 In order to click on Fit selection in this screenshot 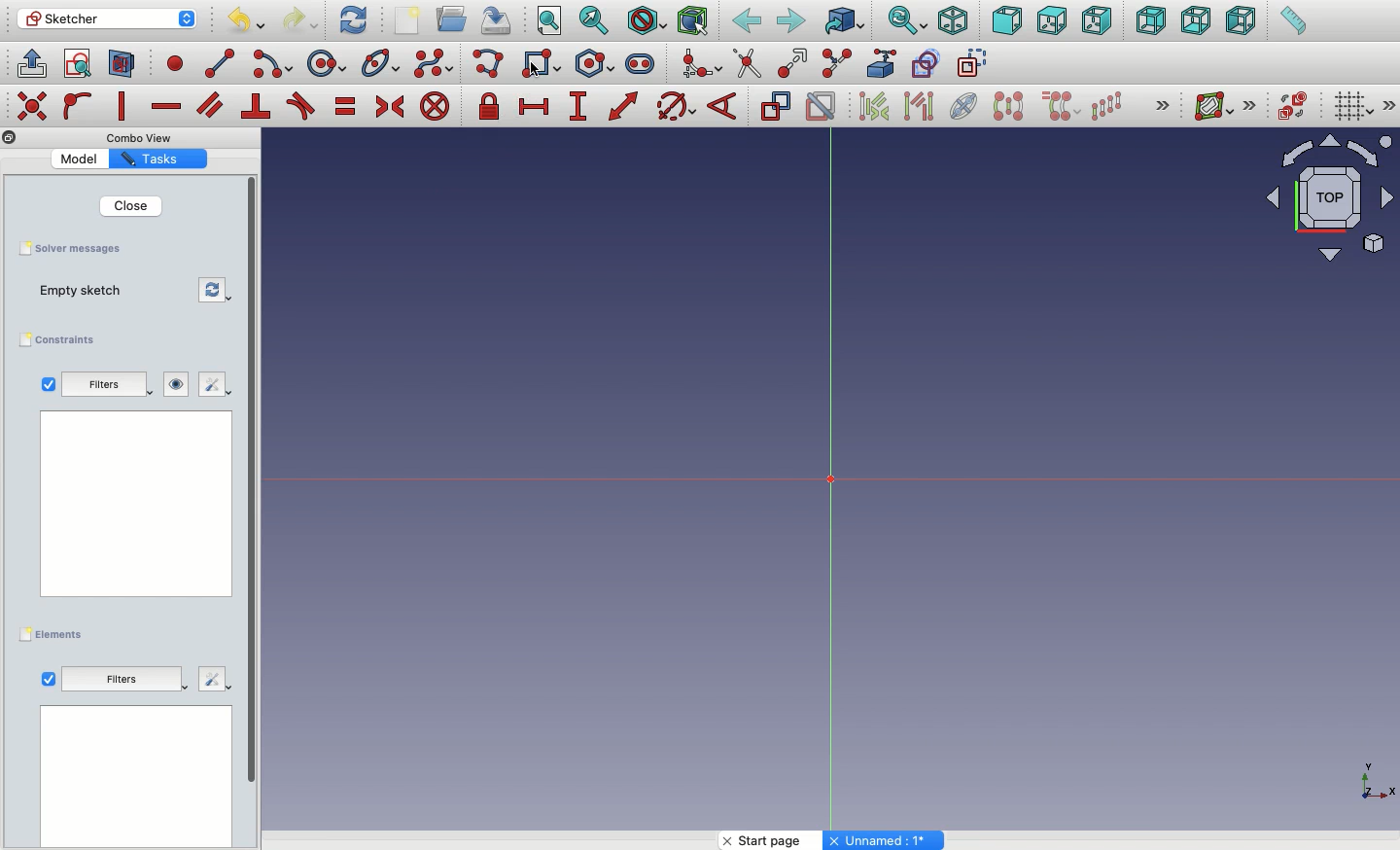, I will do `click(594, 20)`.